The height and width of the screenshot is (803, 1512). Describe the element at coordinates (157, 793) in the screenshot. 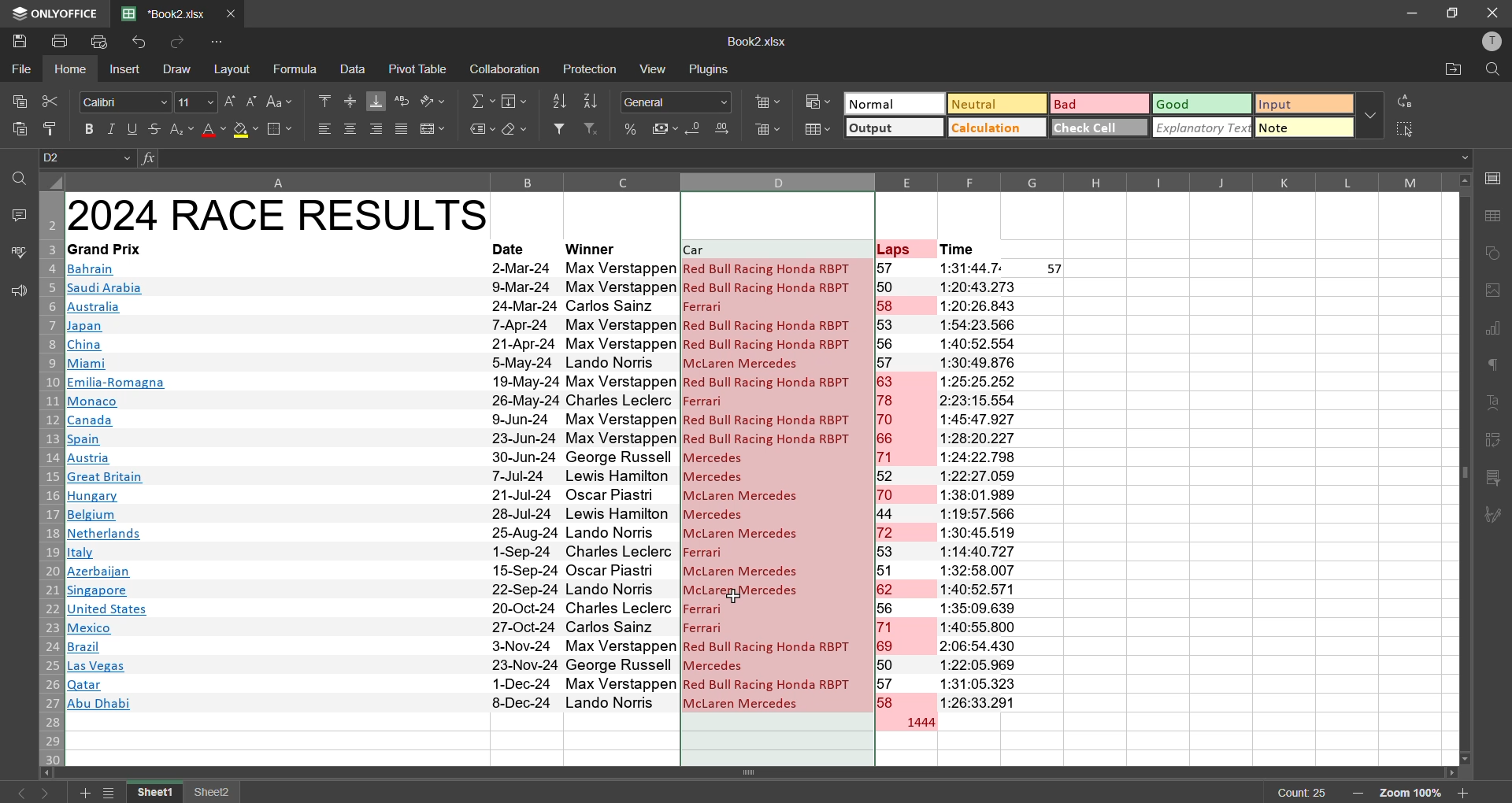

I see `sheet  name` at that location.